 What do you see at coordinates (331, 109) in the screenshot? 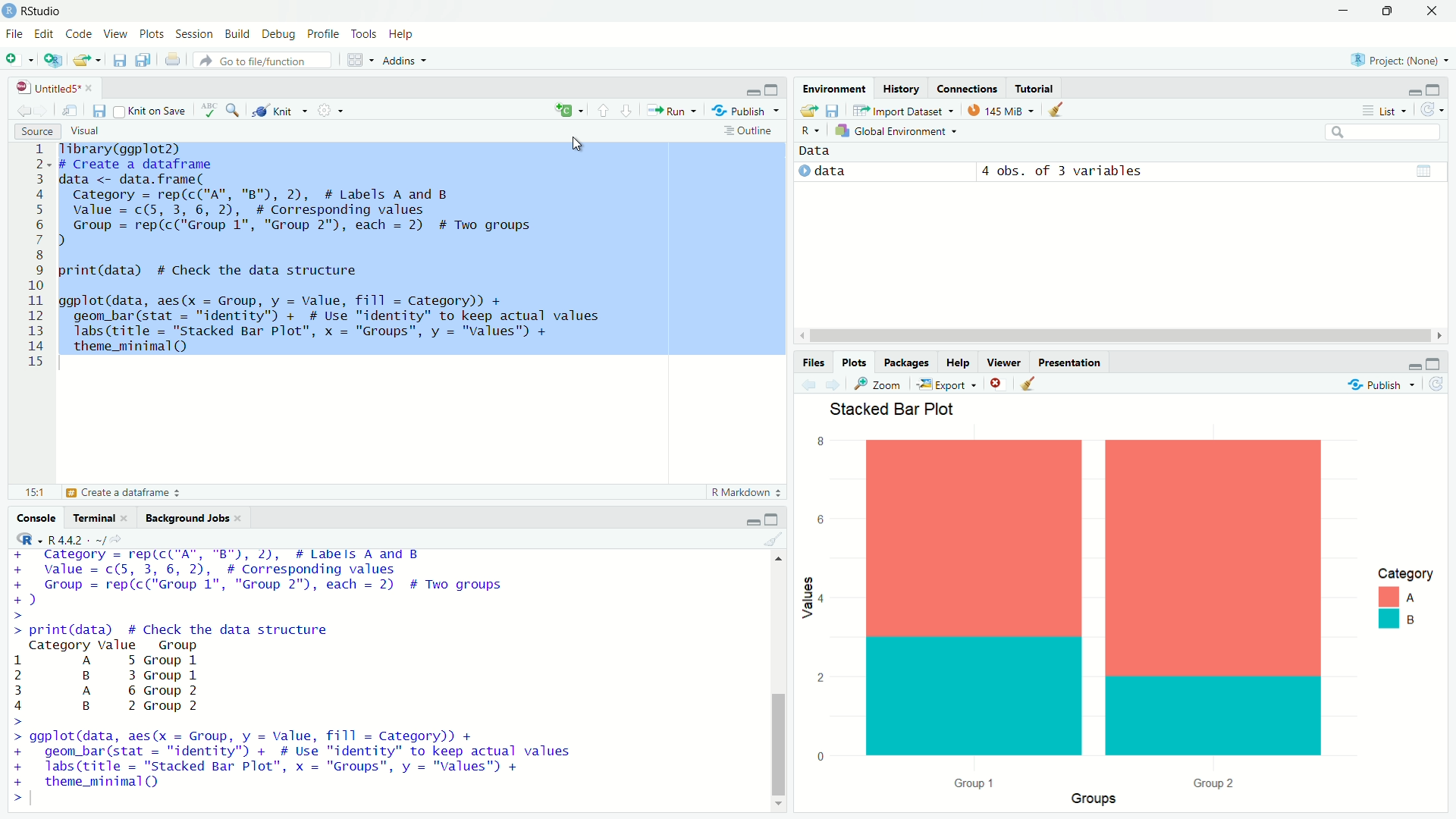
I see `Settings` at bounding box center [331, 109].